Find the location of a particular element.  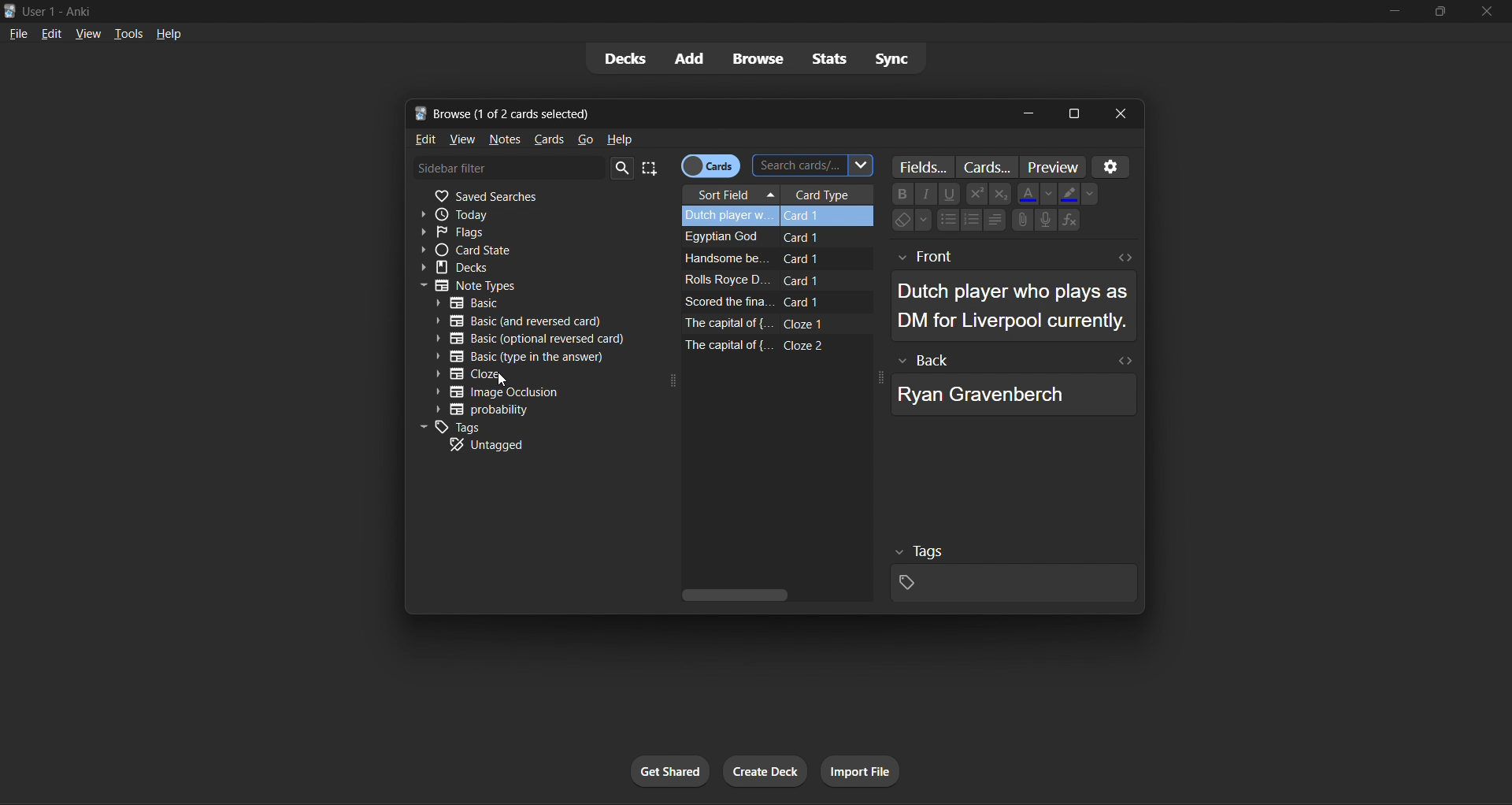

cloze type is located at coordinates (521, 374).